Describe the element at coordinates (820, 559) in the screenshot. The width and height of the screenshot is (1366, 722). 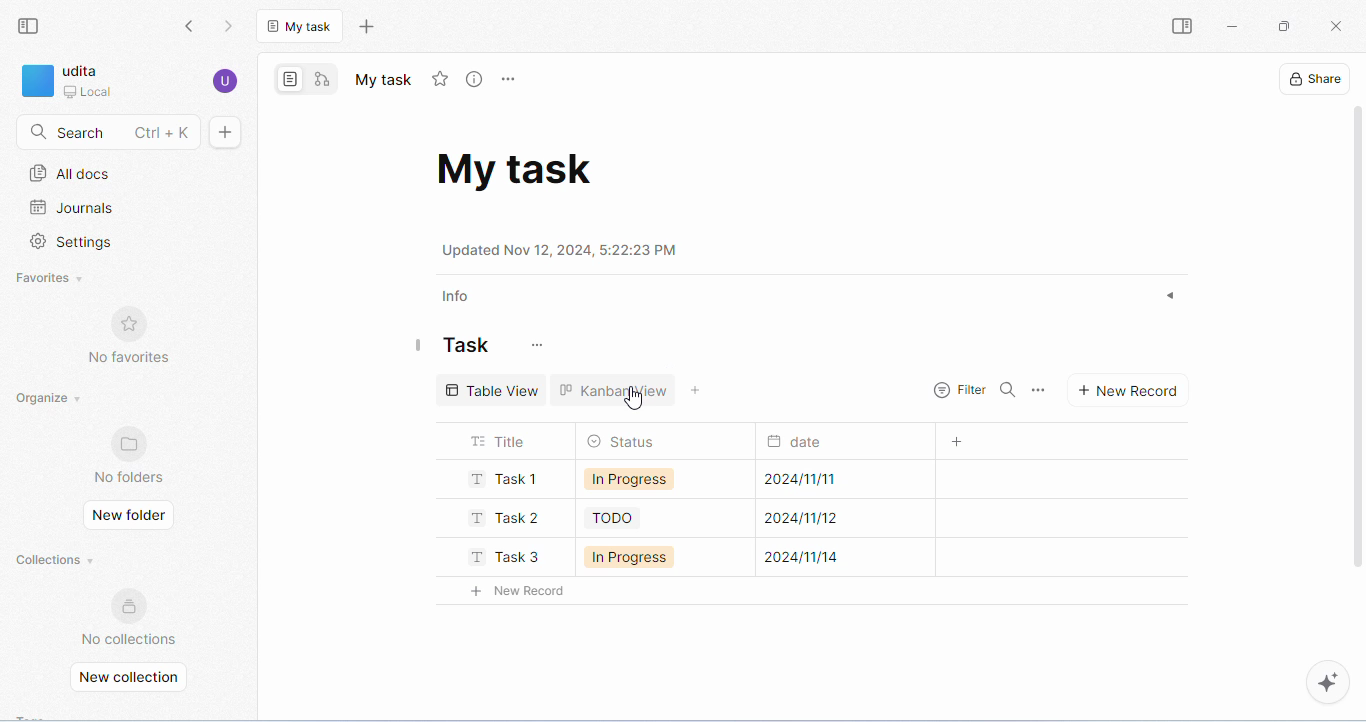
I see `deadline for task3` at that location.